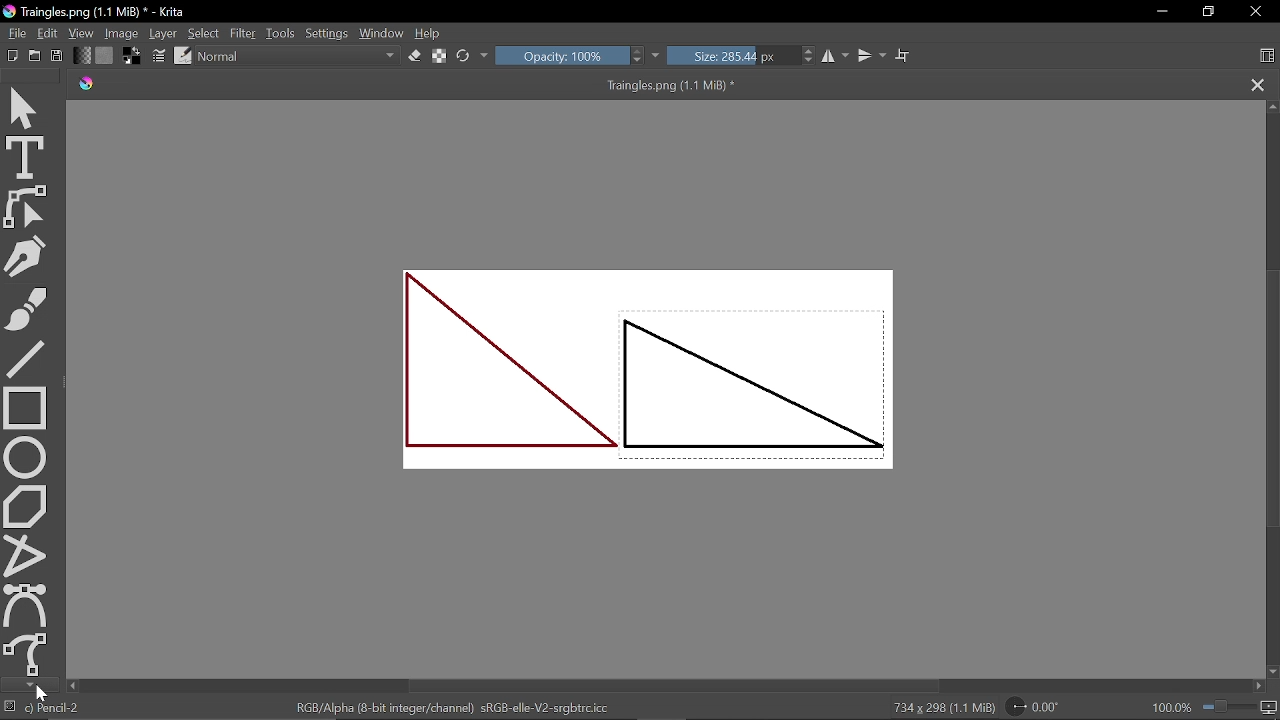 This screenshot has width=1280, height=720. I want to click on Move tool, so click(26, 108).